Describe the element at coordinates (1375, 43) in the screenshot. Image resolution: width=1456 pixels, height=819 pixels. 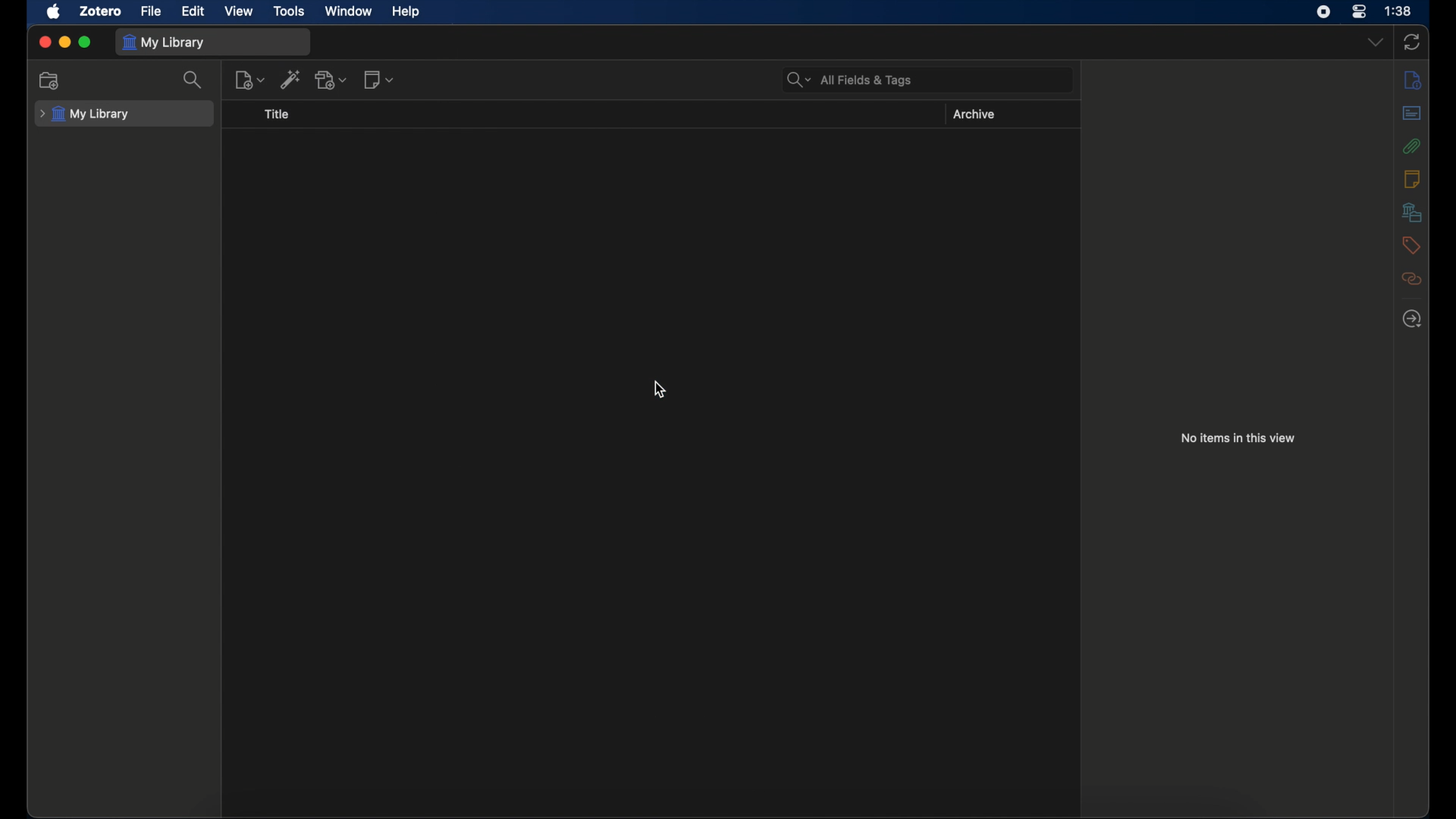
I see `dropdown` at that location.